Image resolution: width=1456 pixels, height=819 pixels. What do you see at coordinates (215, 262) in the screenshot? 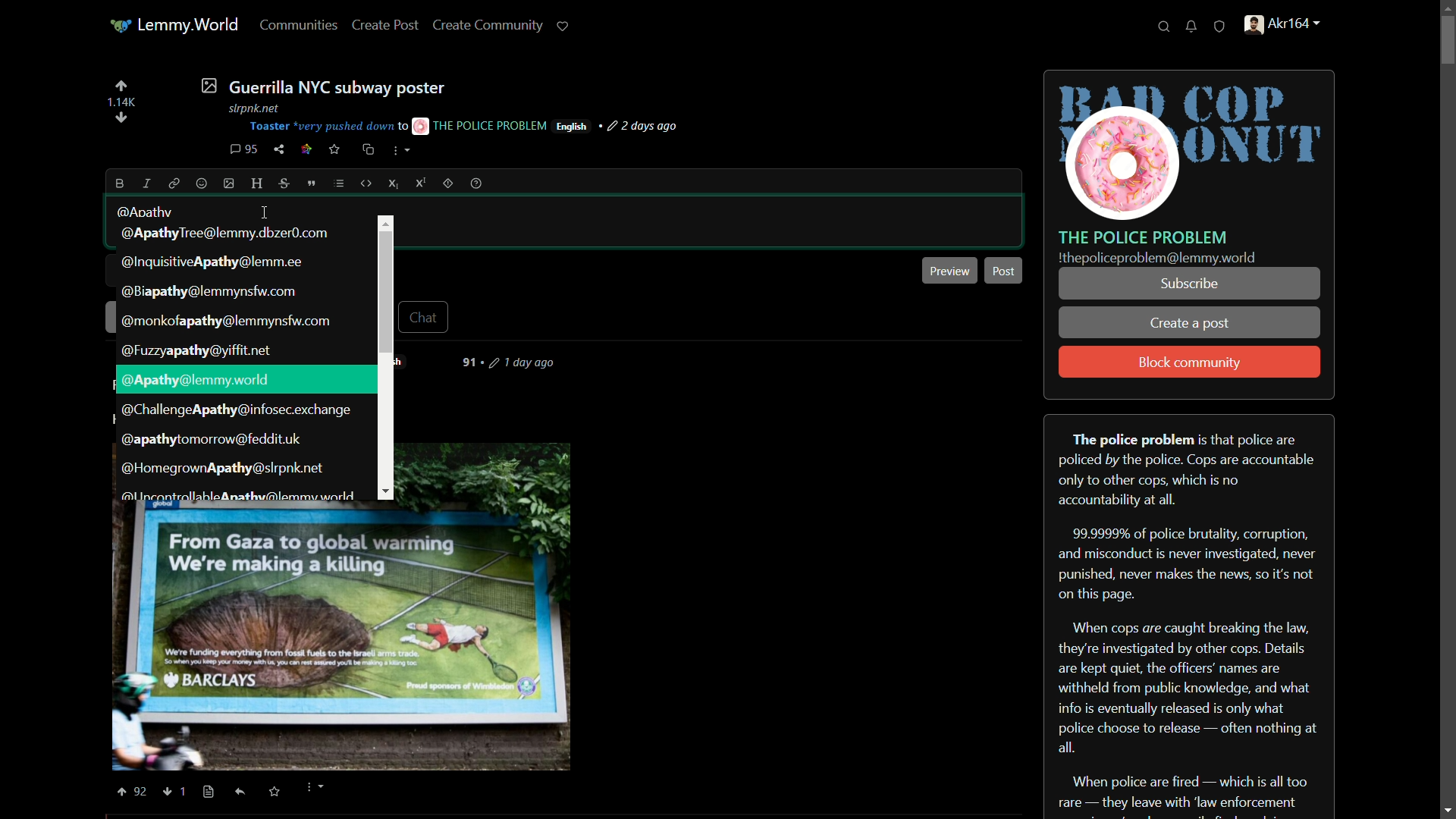
I see `suggestion-2` at bounding box center [215, 262].